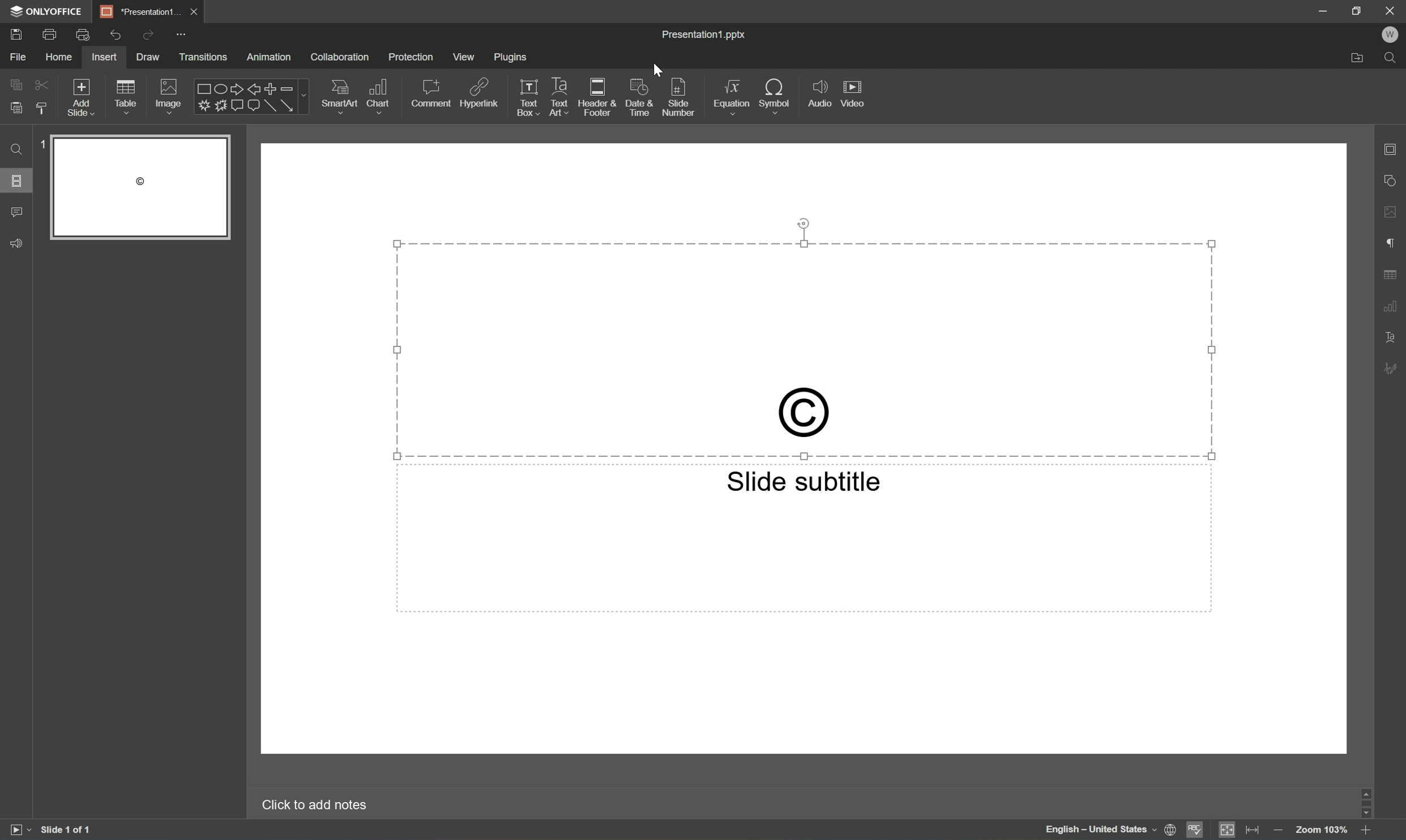  What do you see at coordinates (557, 96) in the screenshot?
I see `Text Art` at bounding box center [557, 96].